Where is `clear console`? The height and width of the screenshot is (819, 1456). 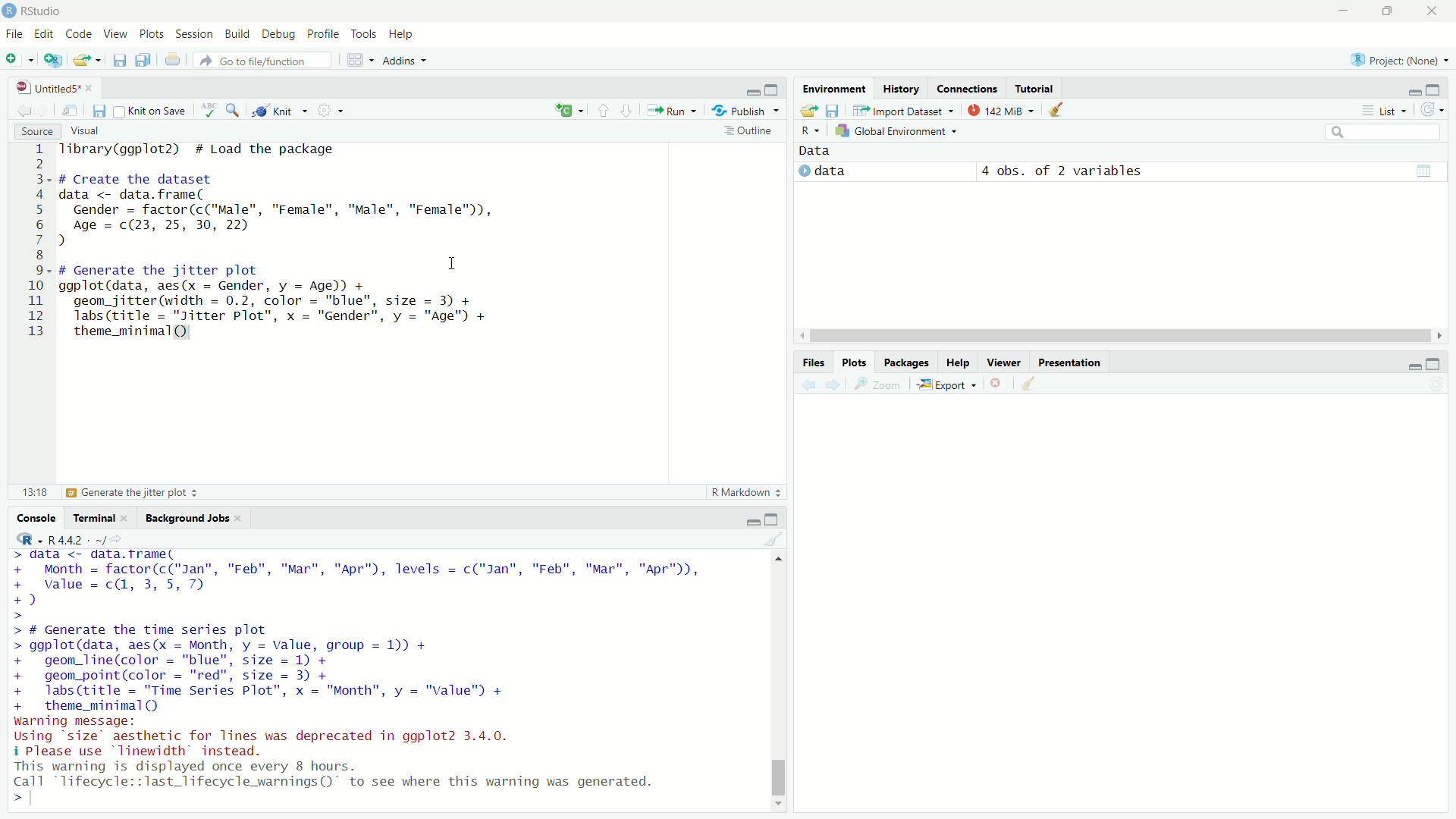
clear console is located at coordinates (774, 539).